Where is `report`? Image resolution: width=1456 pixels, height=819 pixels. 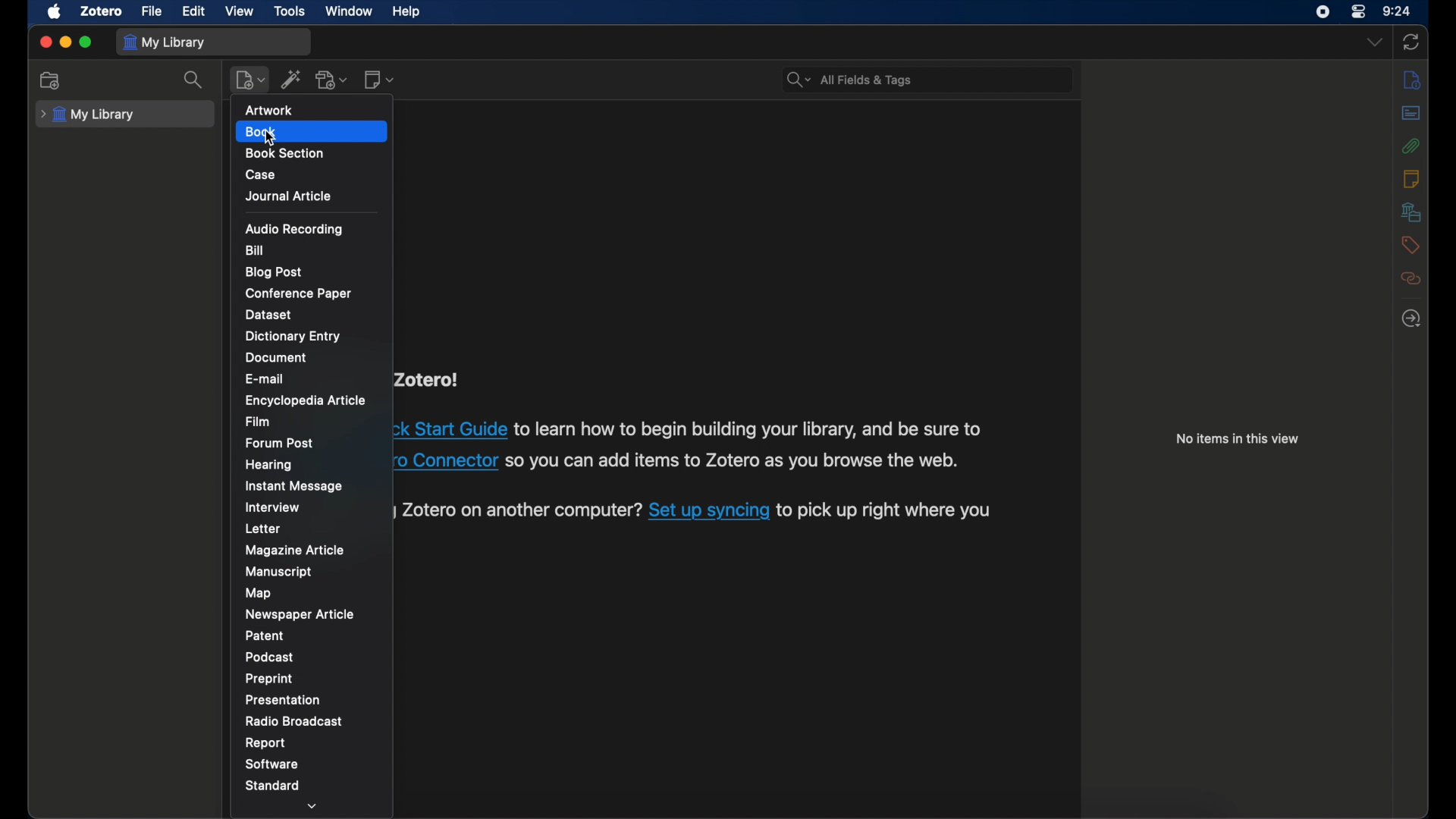 report is located at coordinates (265, 742).